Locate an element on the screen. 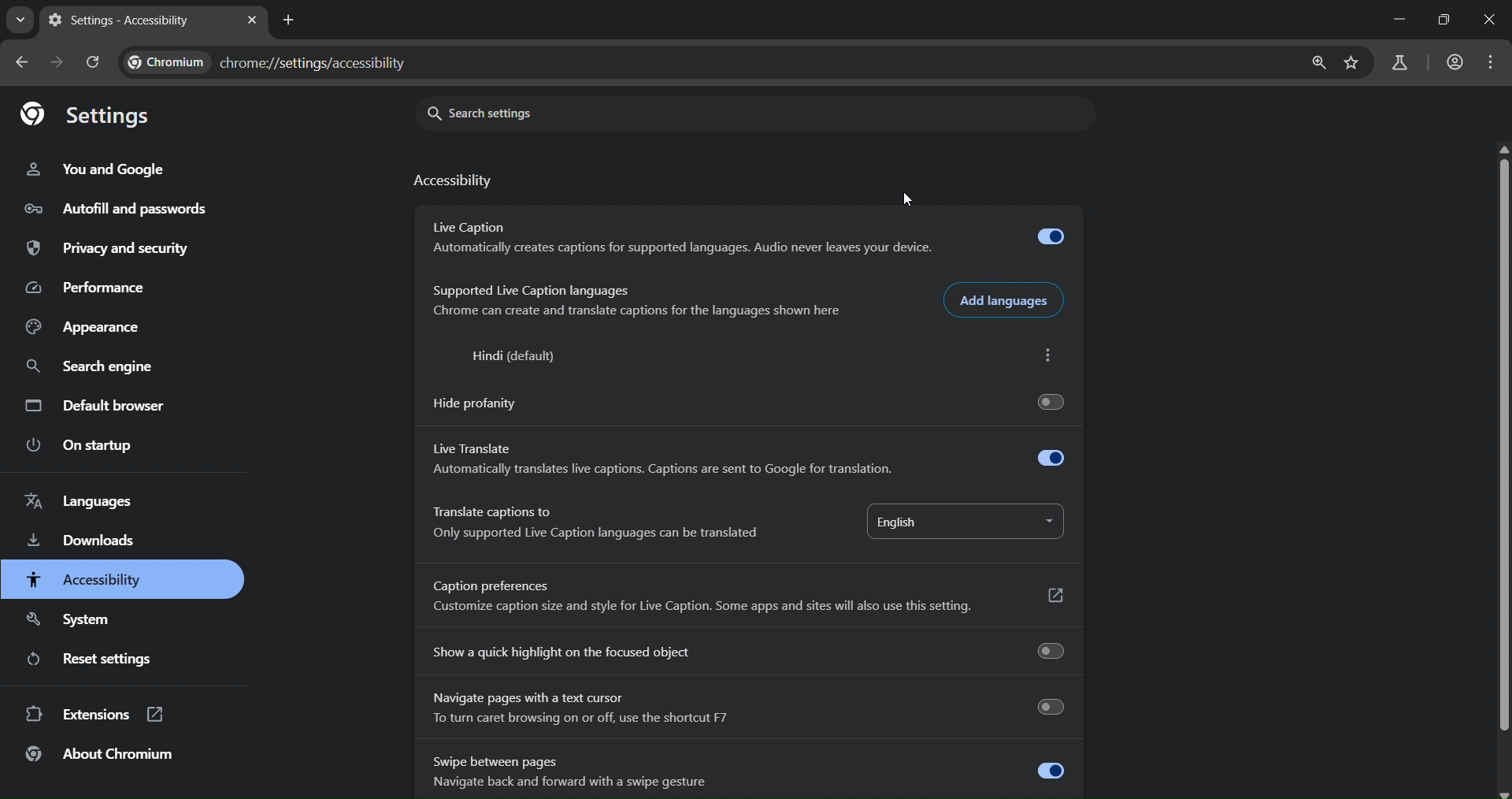  accessibility is located at coordinates (460, 183).